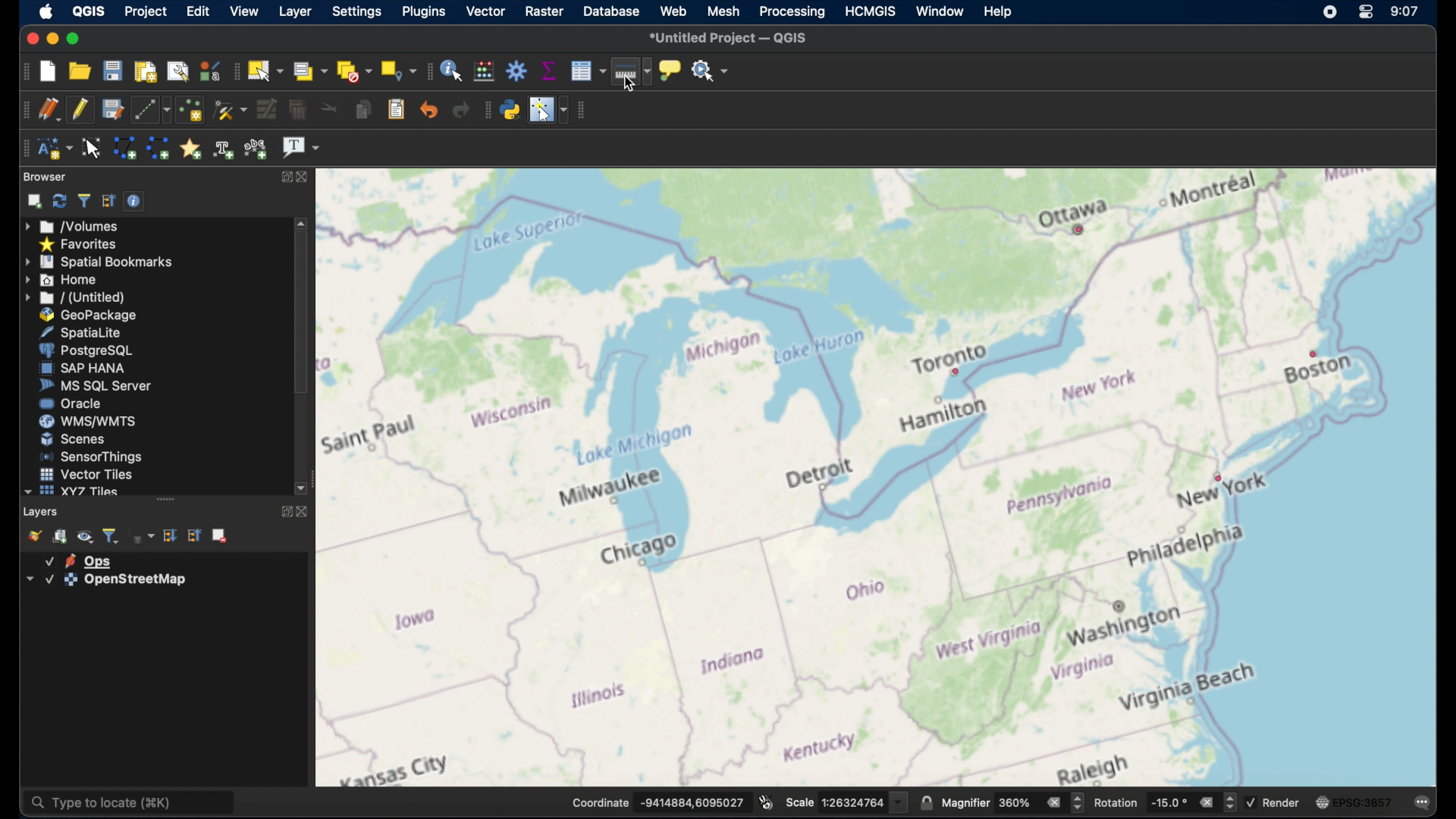 The width and height of the screenshot is (1456, 819). Describe the element at coordinates (672, 71) in the screenshot. I see `show map tips` at that location.